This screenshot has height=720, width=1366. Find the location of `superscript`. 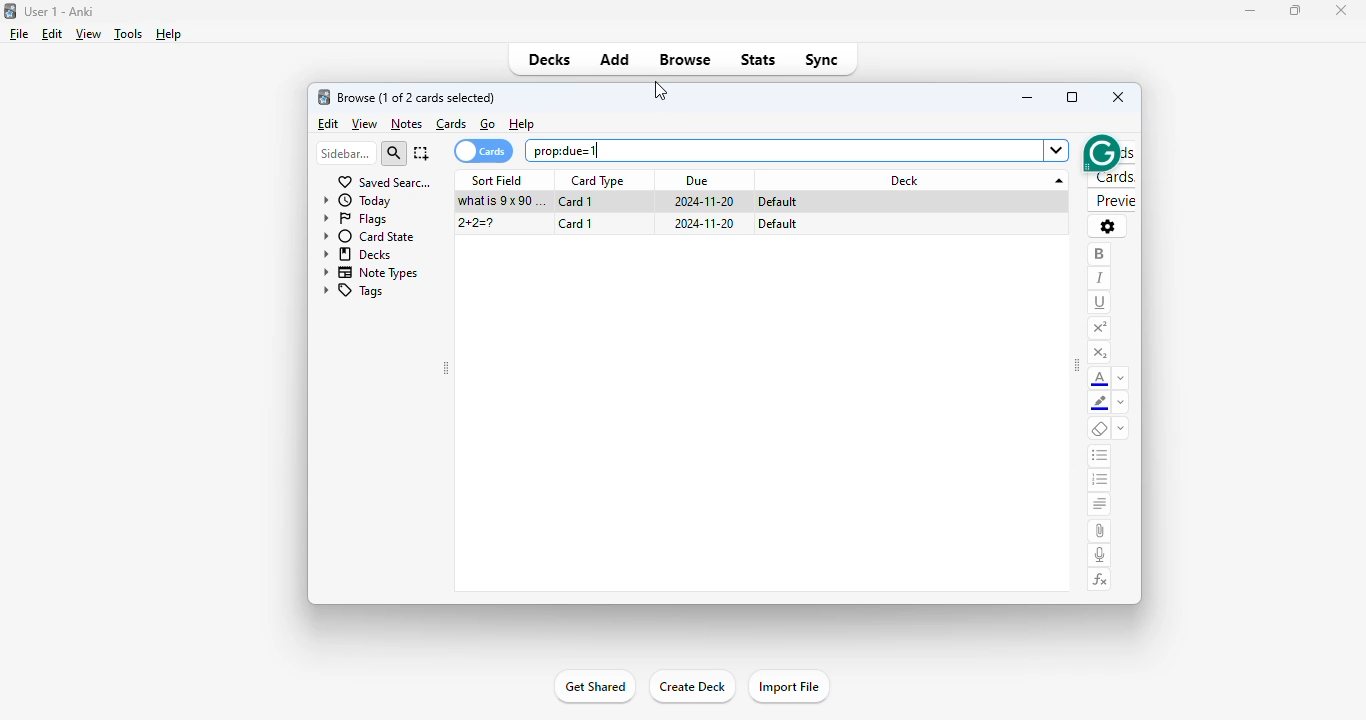

superscript is located at coordinates (1100, 329).